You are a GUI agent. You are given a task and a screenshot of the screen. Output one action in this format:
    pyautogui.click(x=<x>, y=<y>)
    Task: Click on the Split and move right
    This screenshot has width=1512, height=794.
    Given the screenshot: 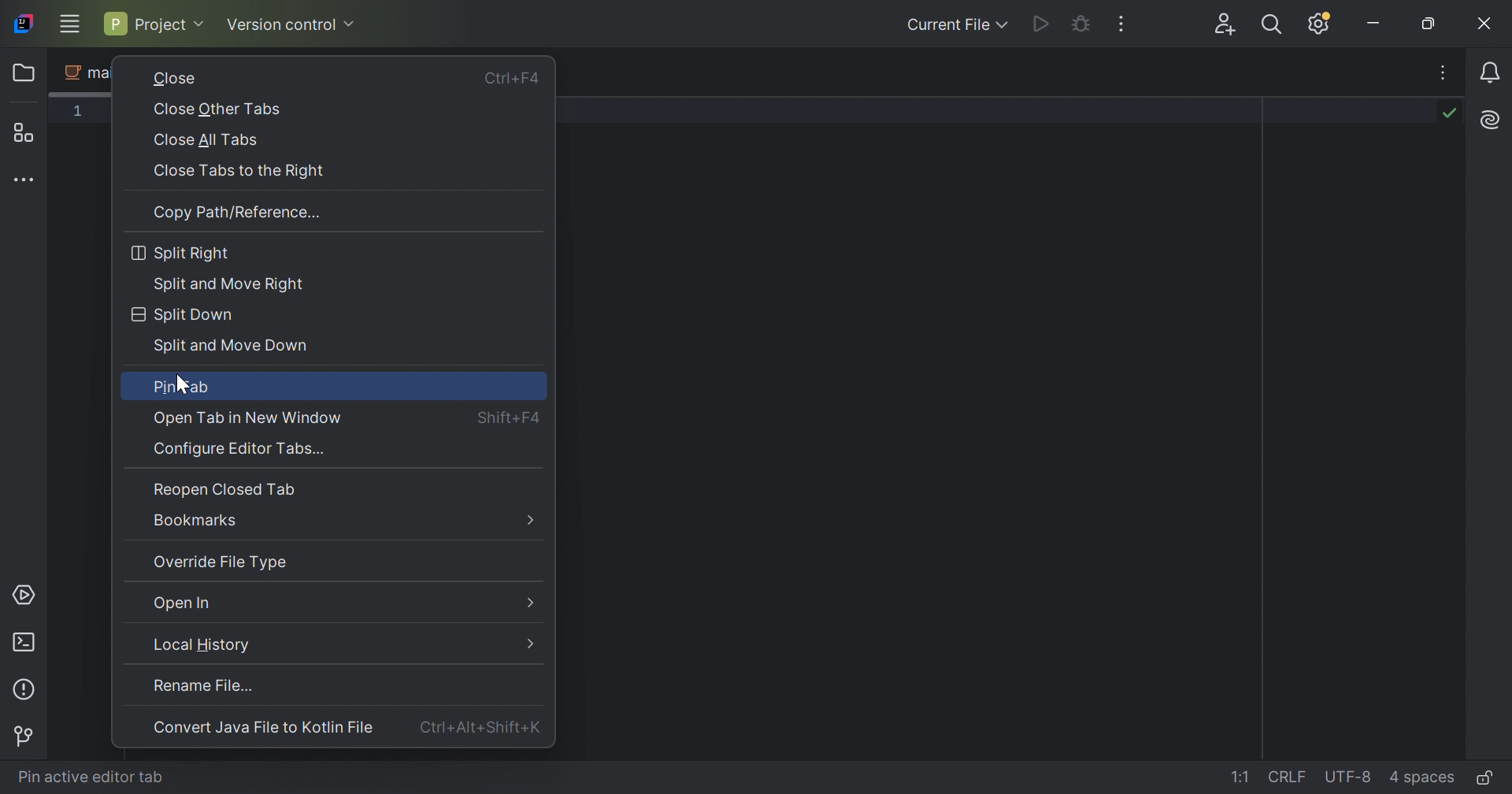 What is the action you would take?
    pyautogui.click(x=230, y=285)
    